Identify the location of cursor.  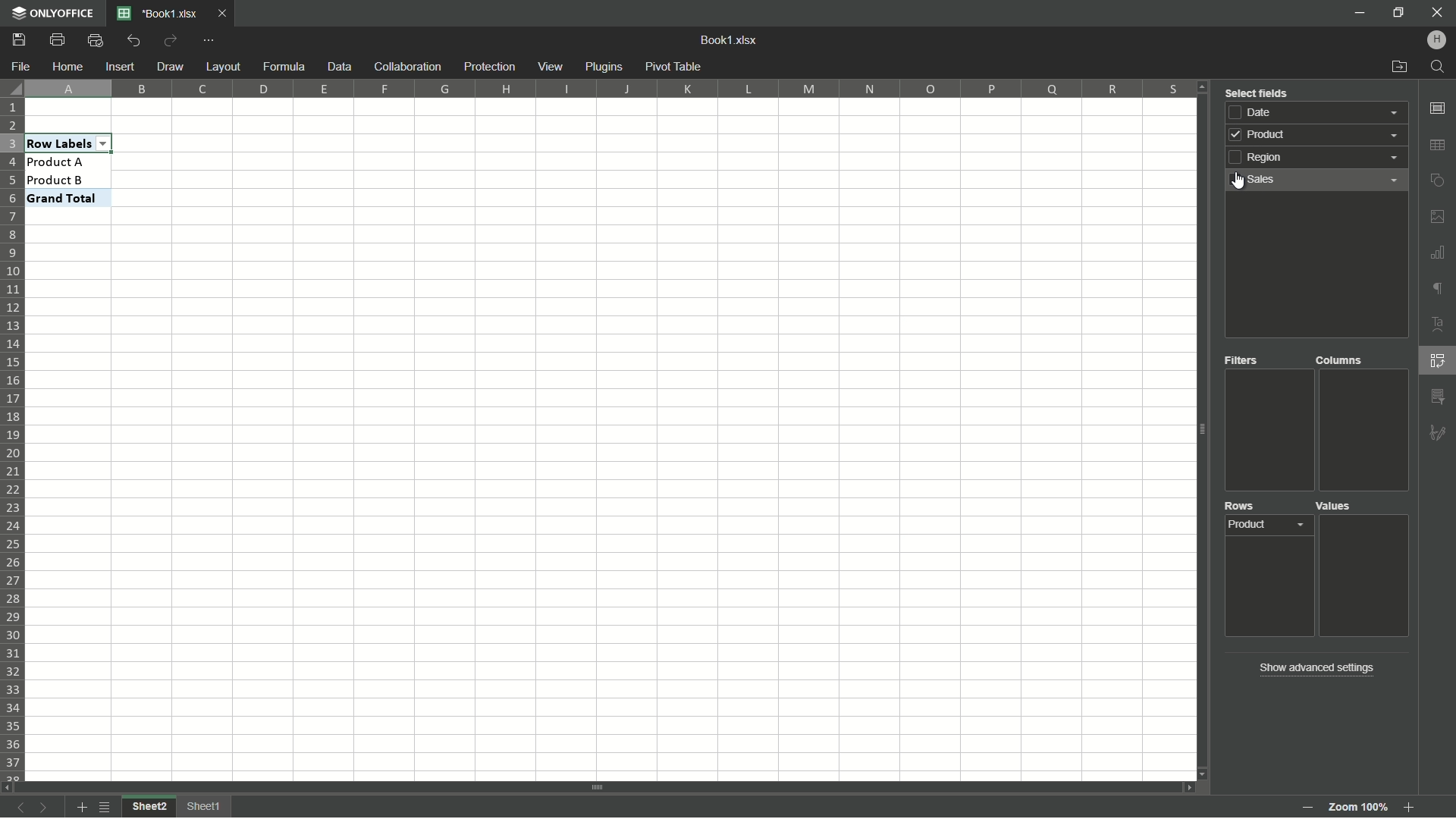
(1235, 184).